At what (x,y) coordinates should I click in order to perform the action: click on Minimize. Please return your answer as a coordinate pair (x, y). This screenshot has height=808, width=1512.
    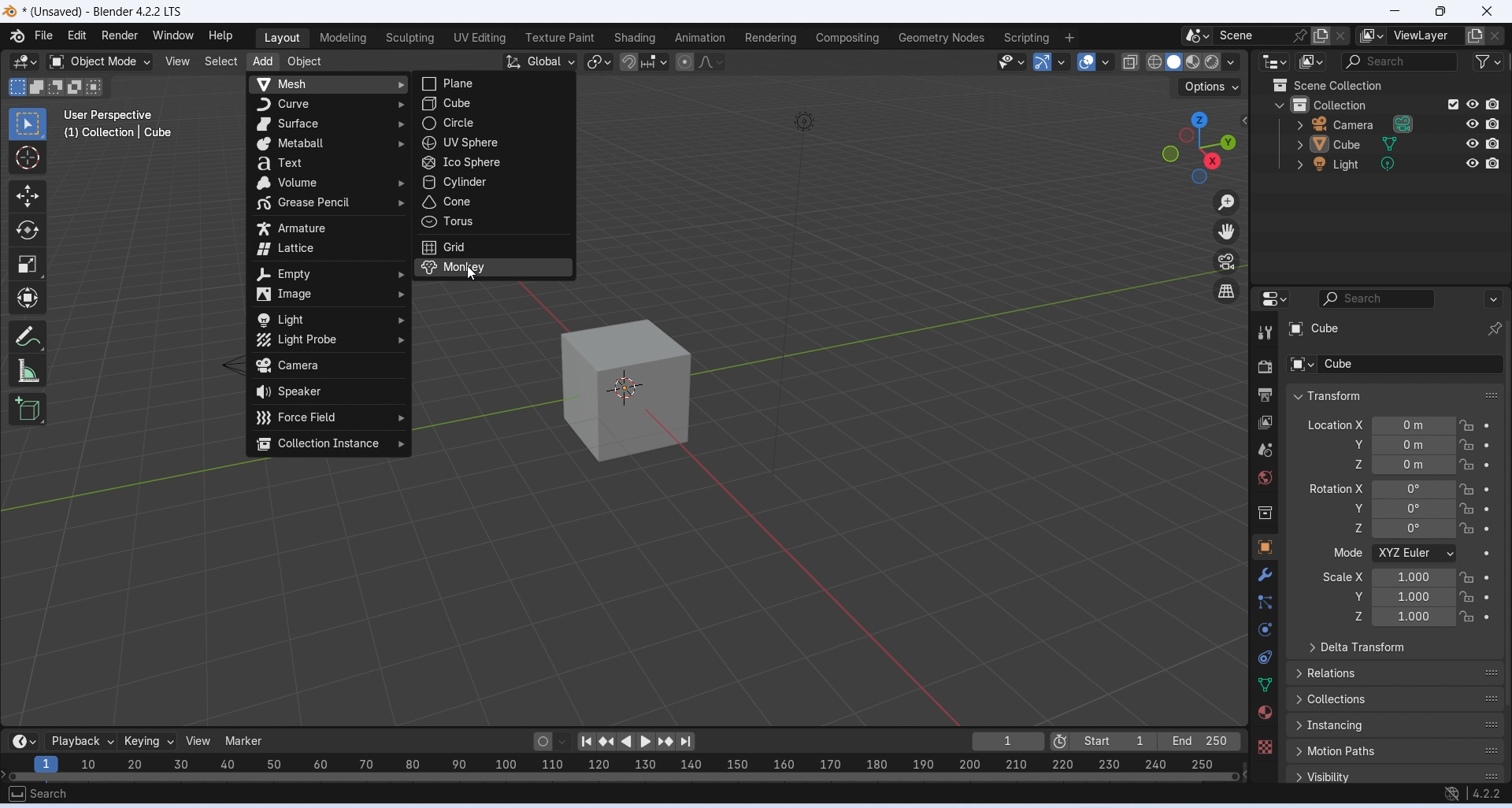
    Looking at the image, I should click on (1392, 12).